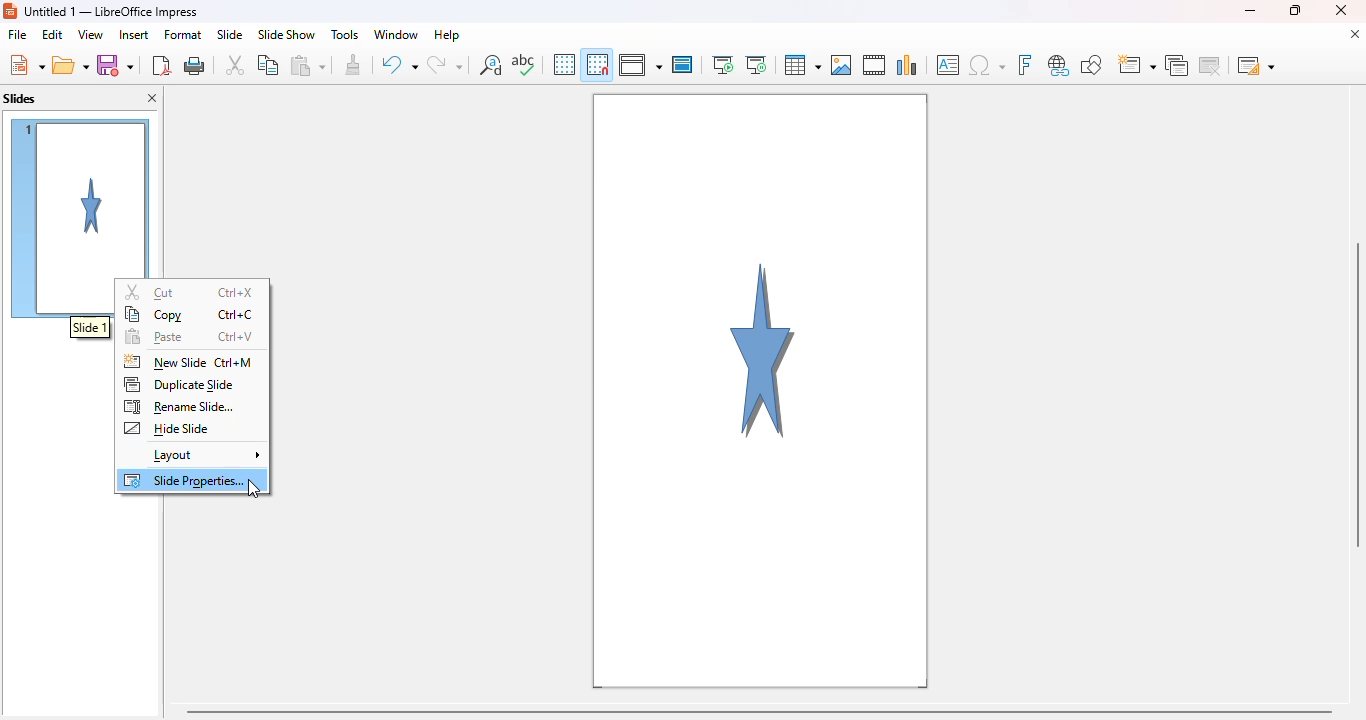 This screenshot has width=1366, height=720. What do you see at coordinates (231, 35) in the screenshot?
I see `slide` at bounding box center [231, 35].